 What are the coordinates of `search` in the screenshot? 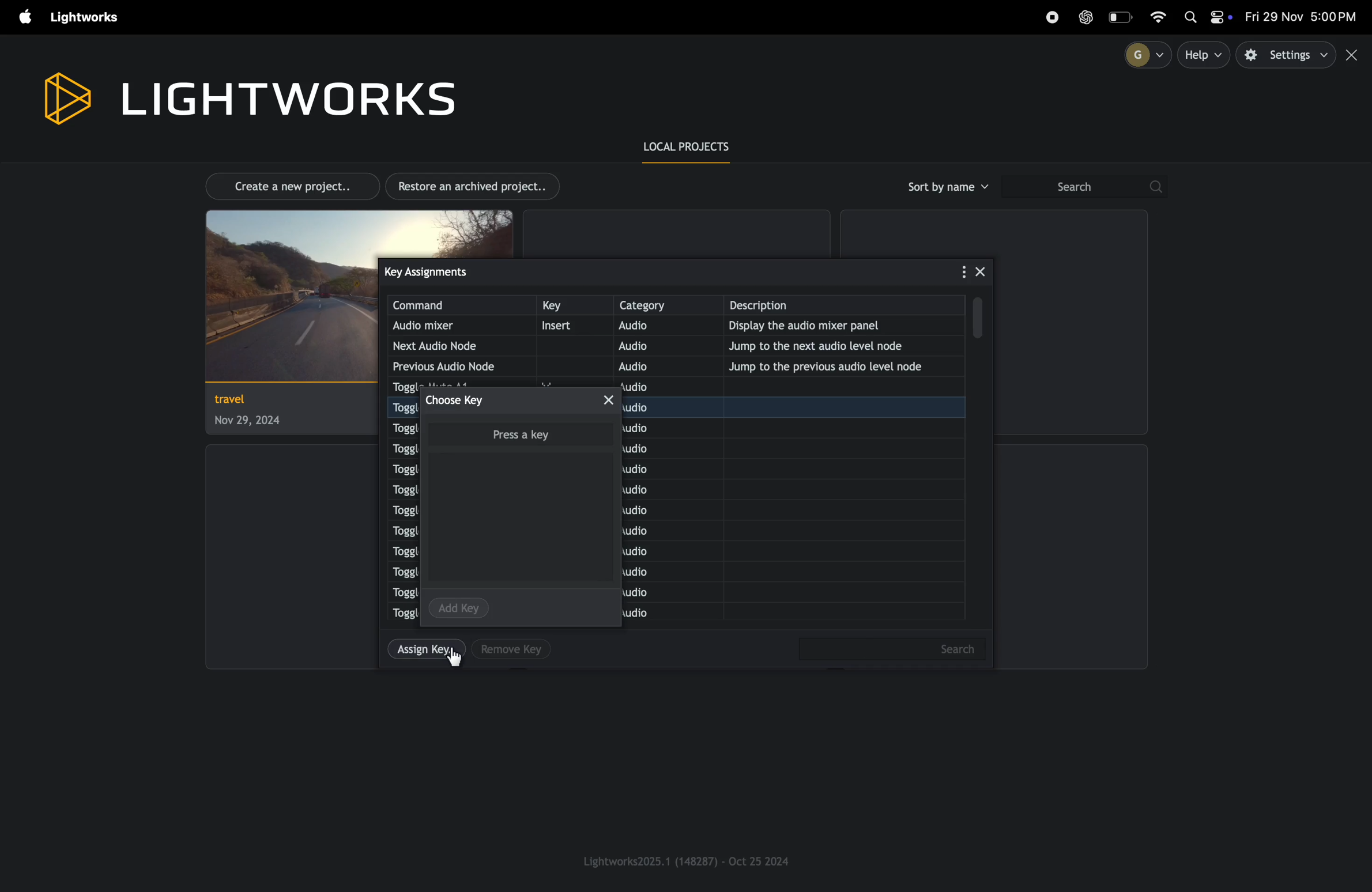 It's located at (1083, 187).